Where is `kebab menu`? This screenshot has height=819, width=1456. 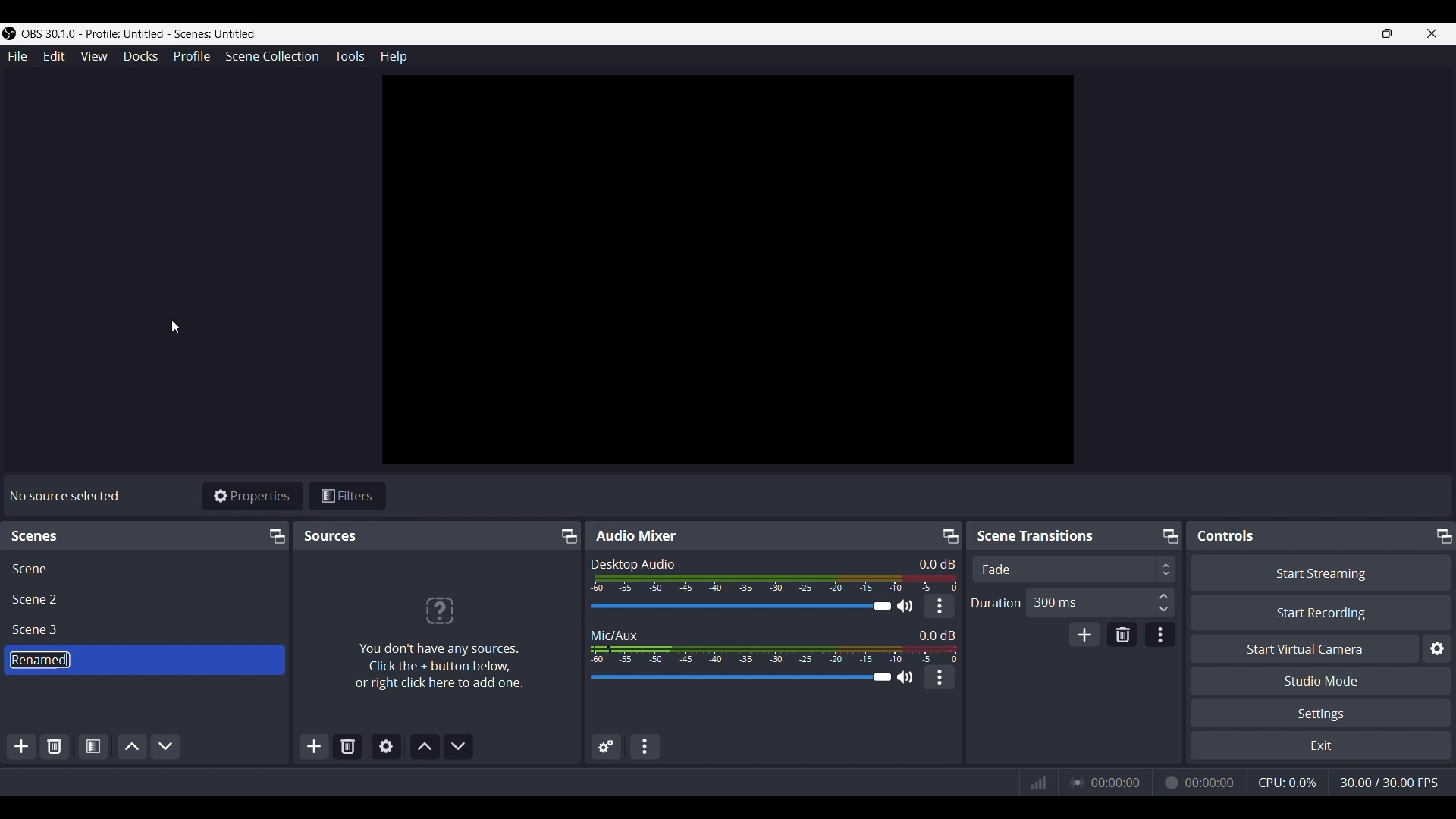
kebab menu is located at coordinates (940, 677).